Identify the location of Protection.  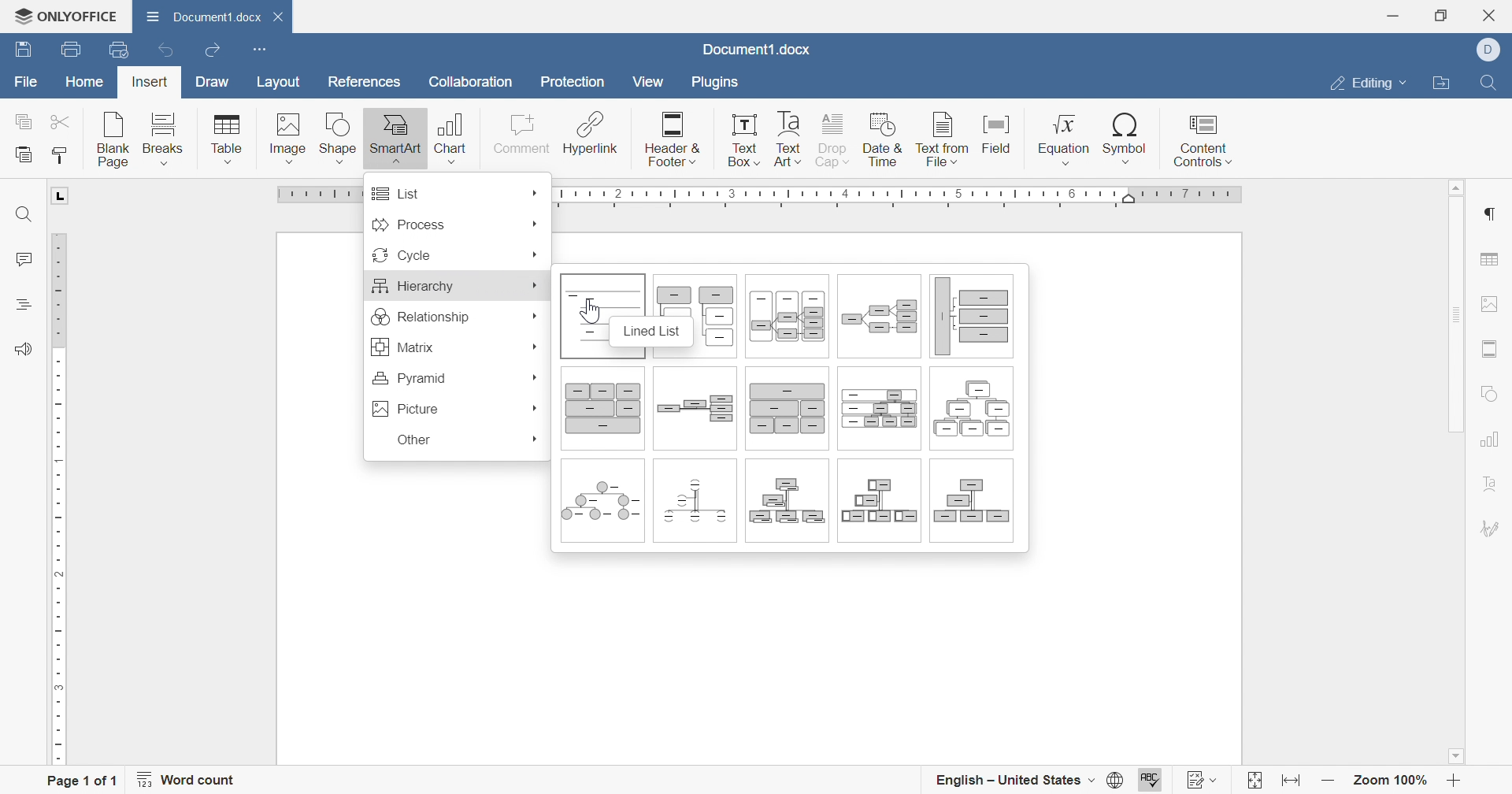
(571, 82).